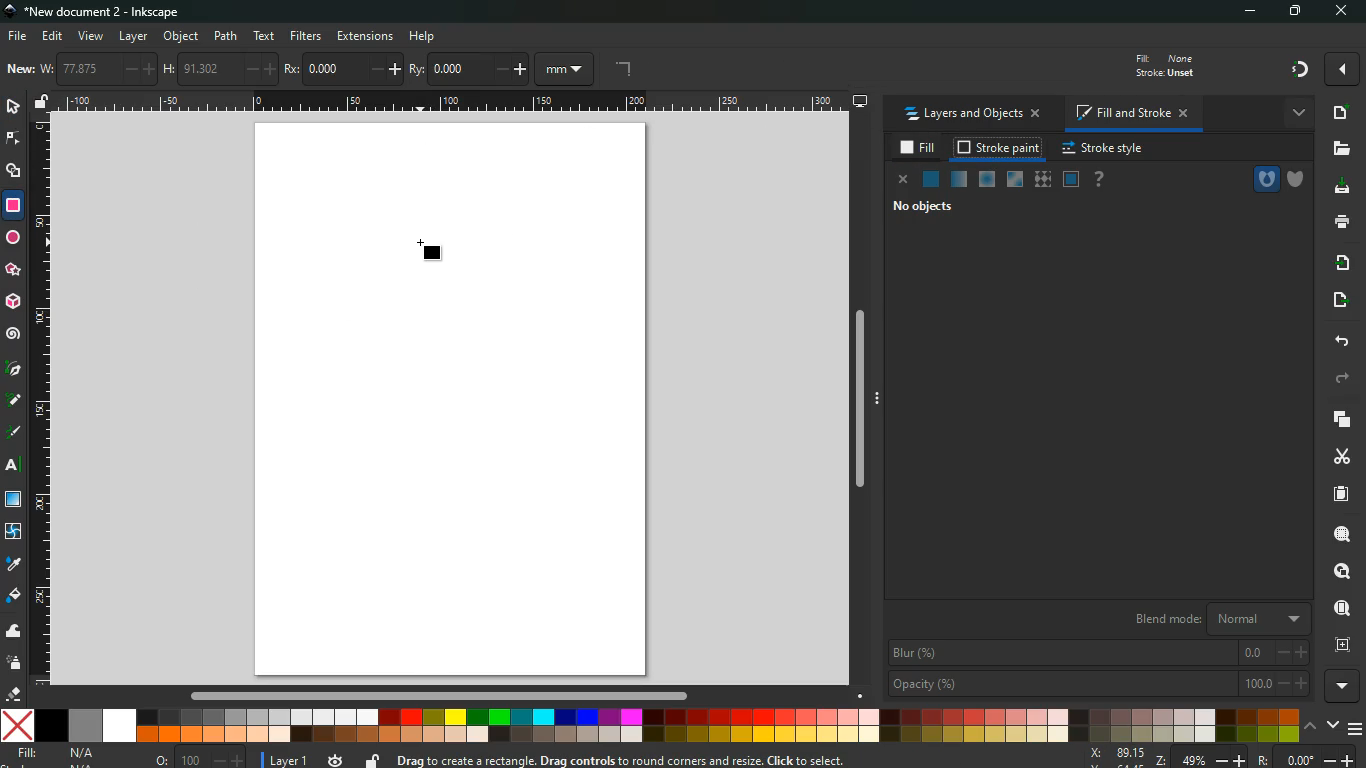 The height and width of the screenshot is (768, 1366). Describe the element at coordinates (18, 35) in the screenshot. I see `file` at that location.